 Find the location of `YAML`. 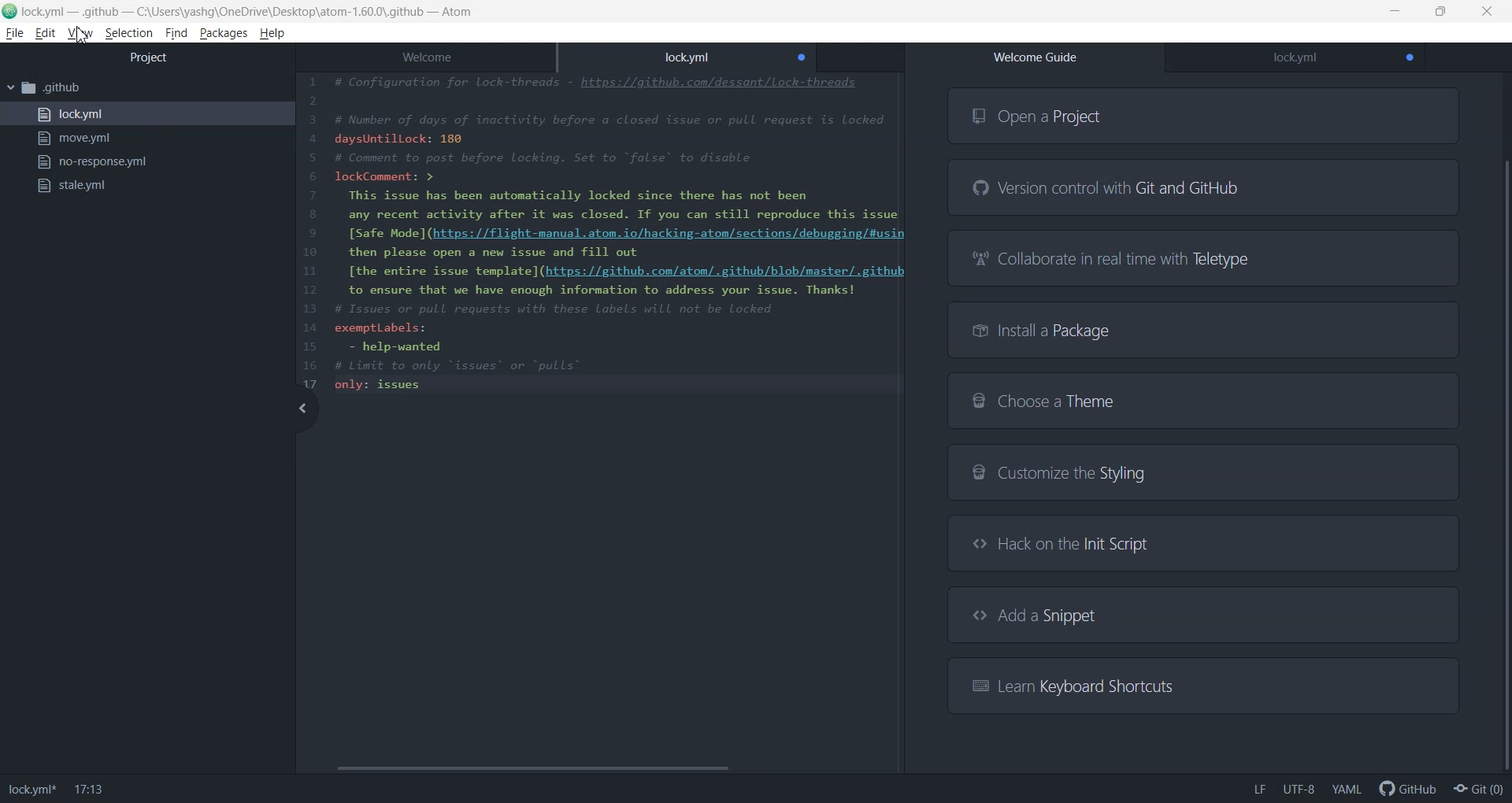

YAML is located at coordinates (1346, 789).